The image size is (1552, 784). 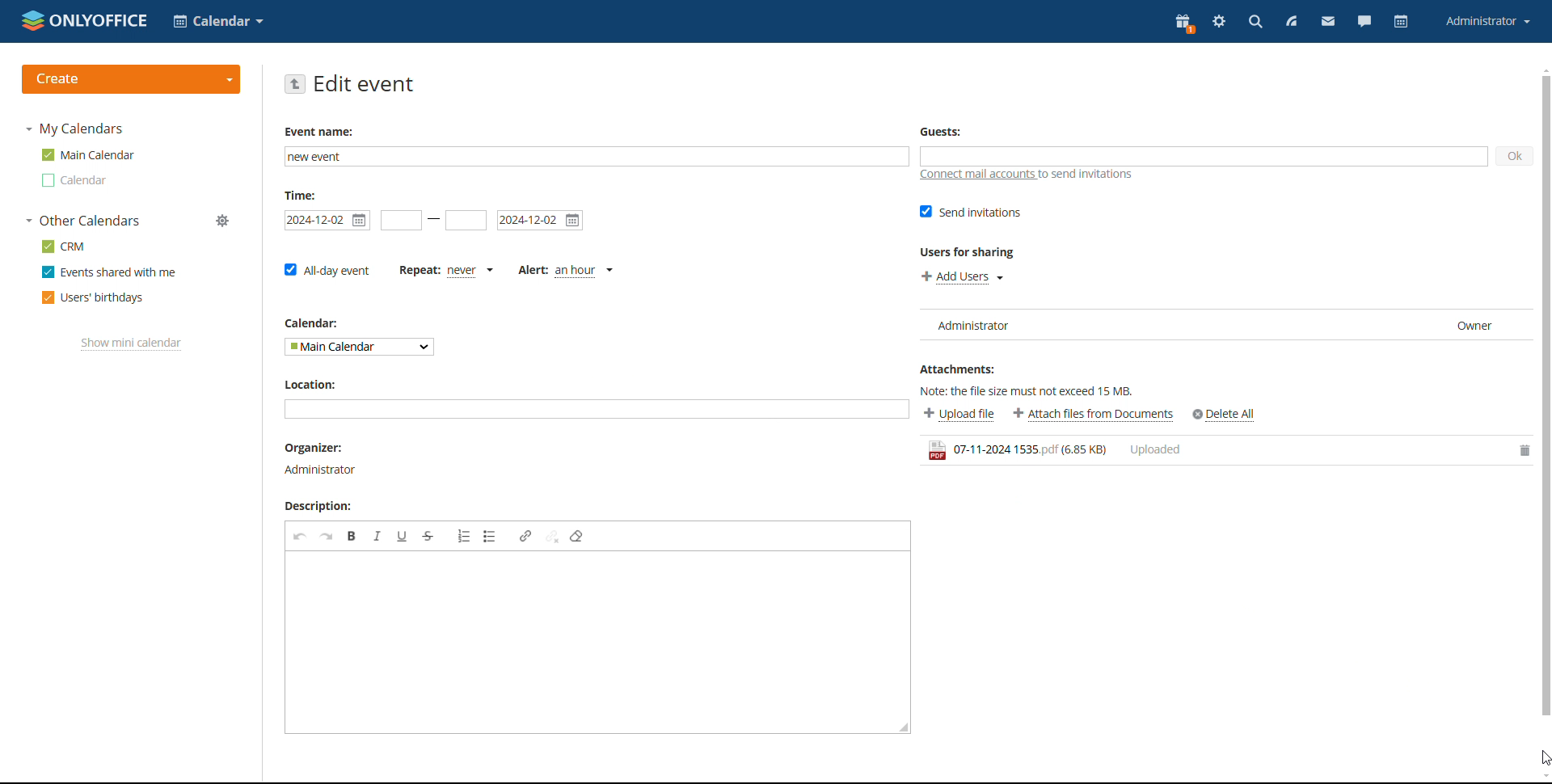 What do you see at coordinates (1221, 23) in the screenshot?
I see `settings` at bounding box center [1221, 23].